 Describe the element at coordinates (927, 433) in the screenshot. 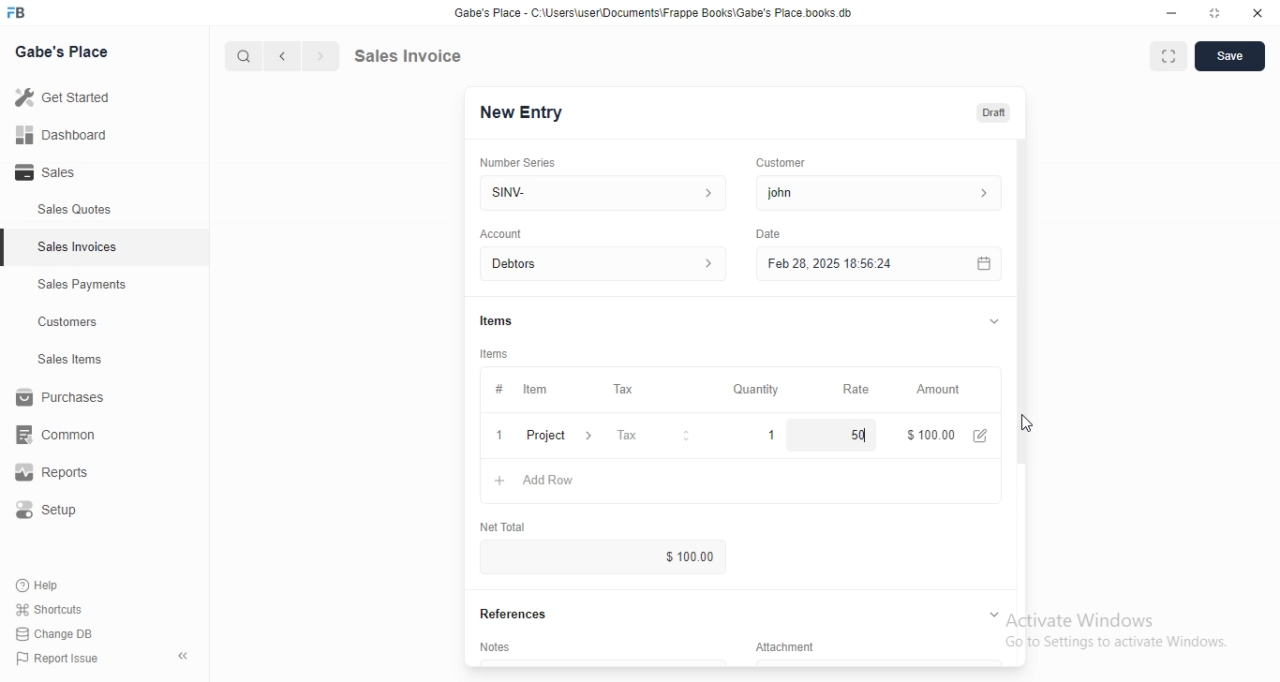

I see `$100.00` at that location.